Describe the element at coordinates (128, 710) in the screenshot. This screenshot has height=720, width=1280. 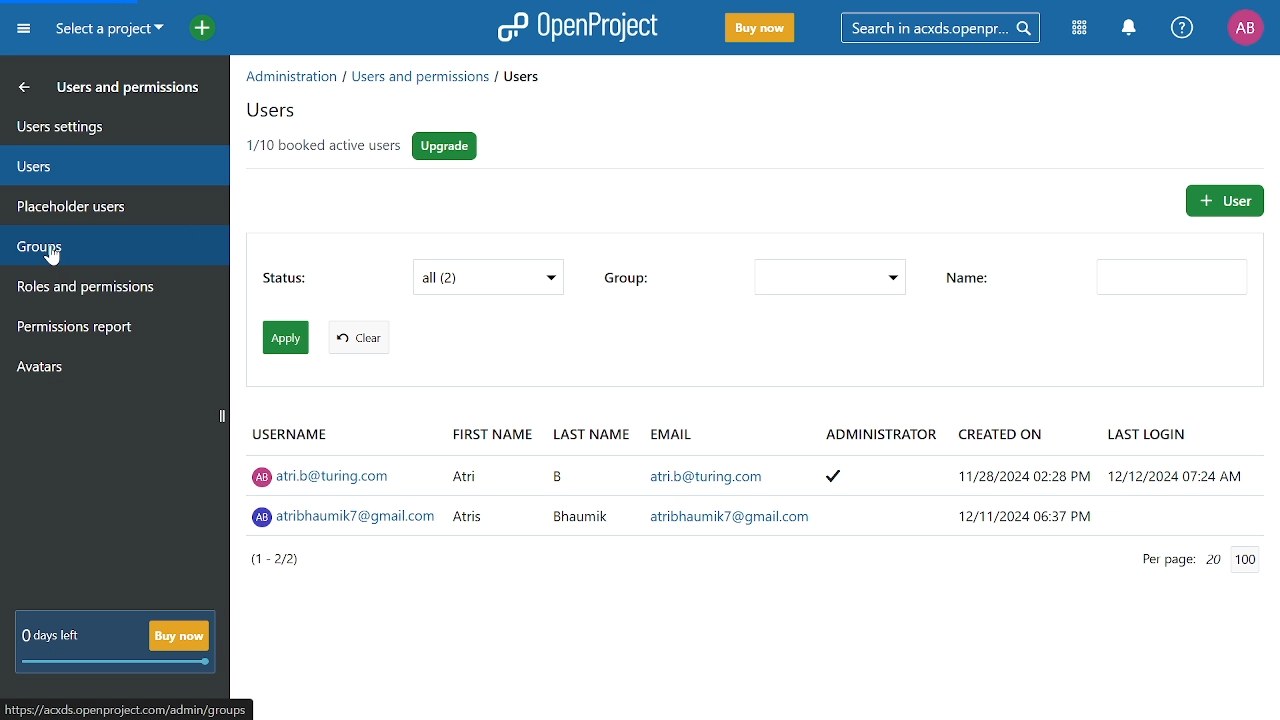
I see `current page web address "htps://acxds.openproject.com/admin/groups "` at that location.